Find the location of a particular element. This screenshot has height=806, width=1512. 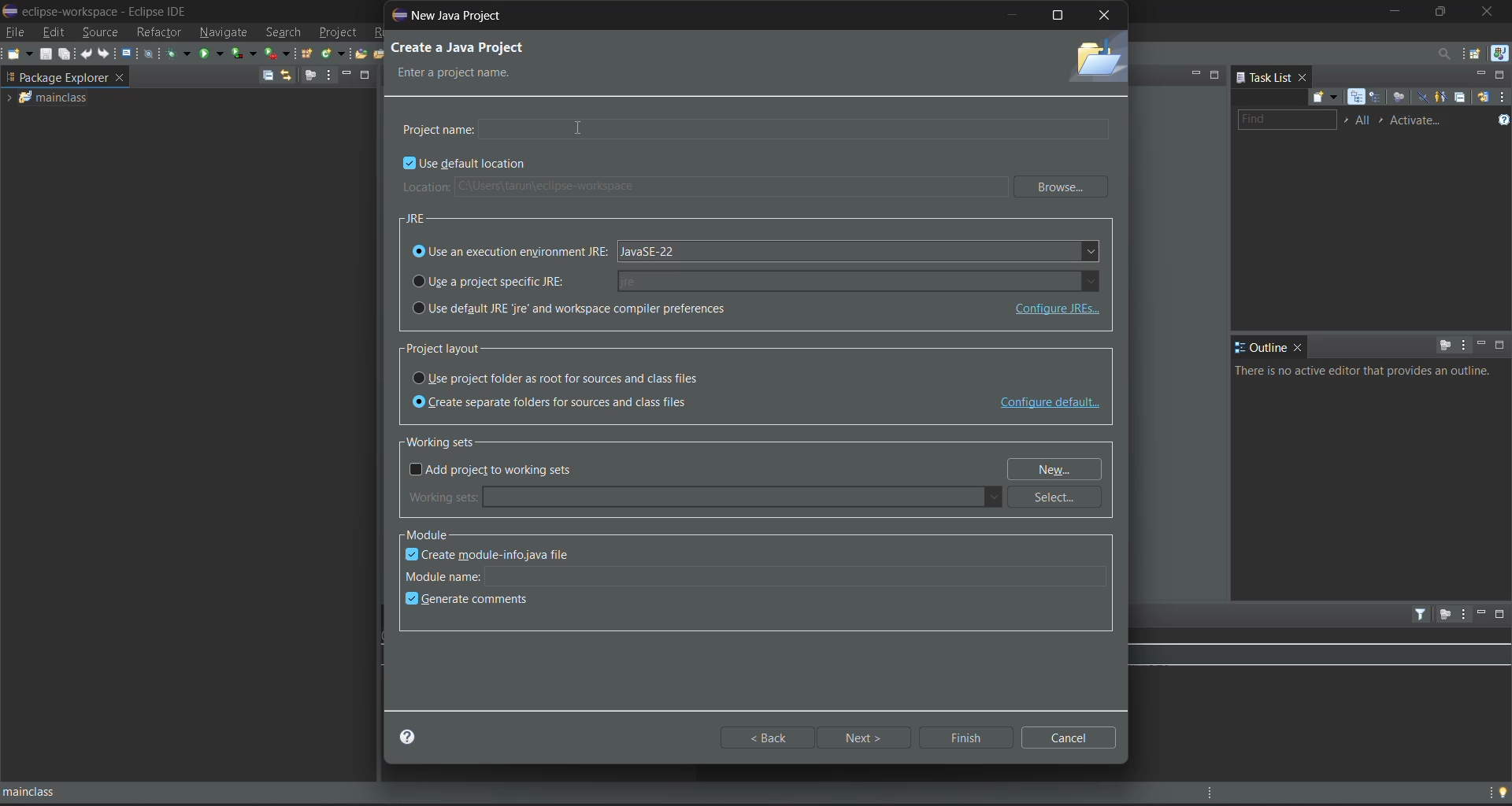

use project folder as root is located at coordinates (565, 378).